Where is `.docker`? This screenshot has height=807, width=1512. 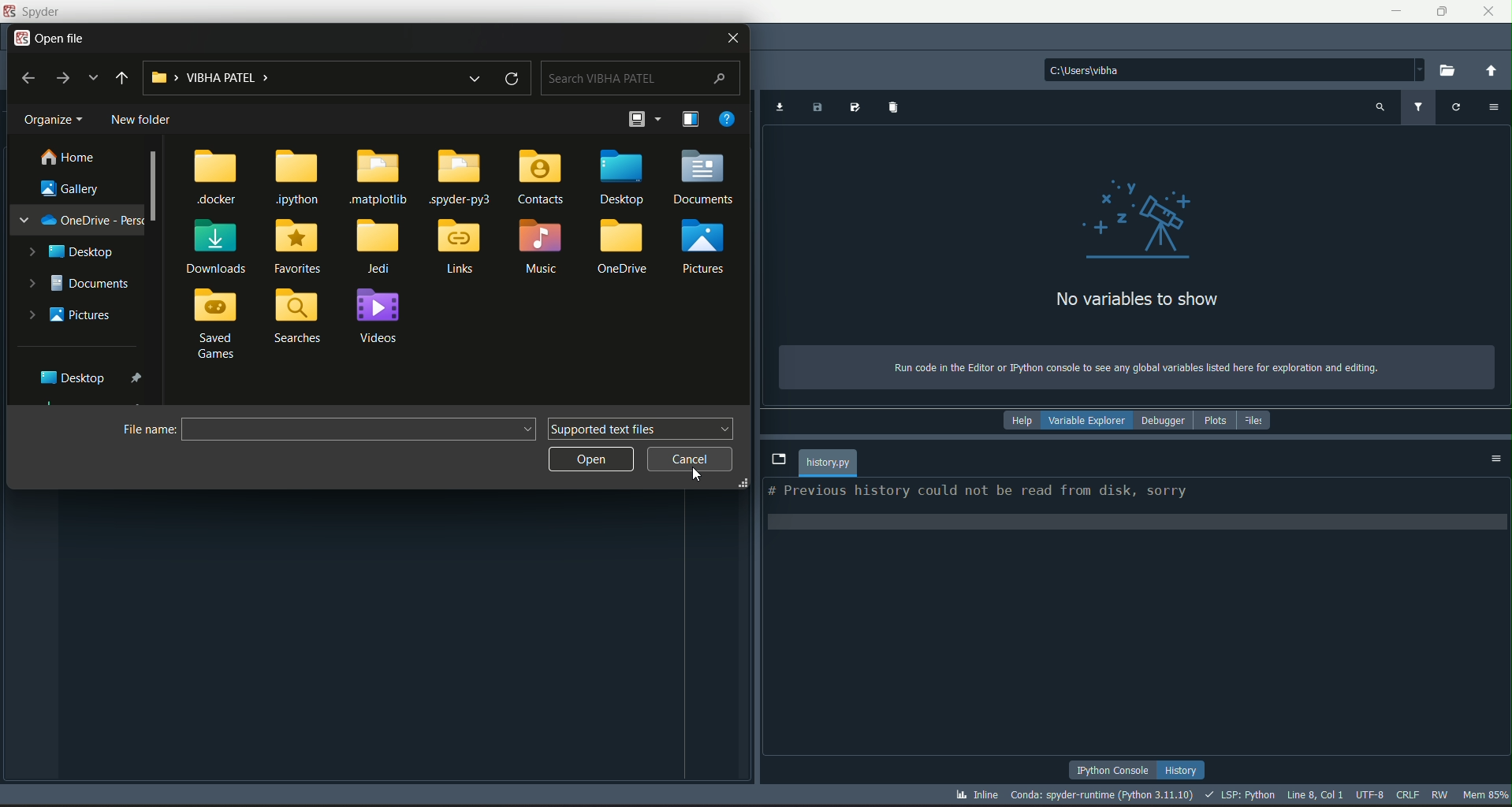 .docker is located at coordinates (218, 179).